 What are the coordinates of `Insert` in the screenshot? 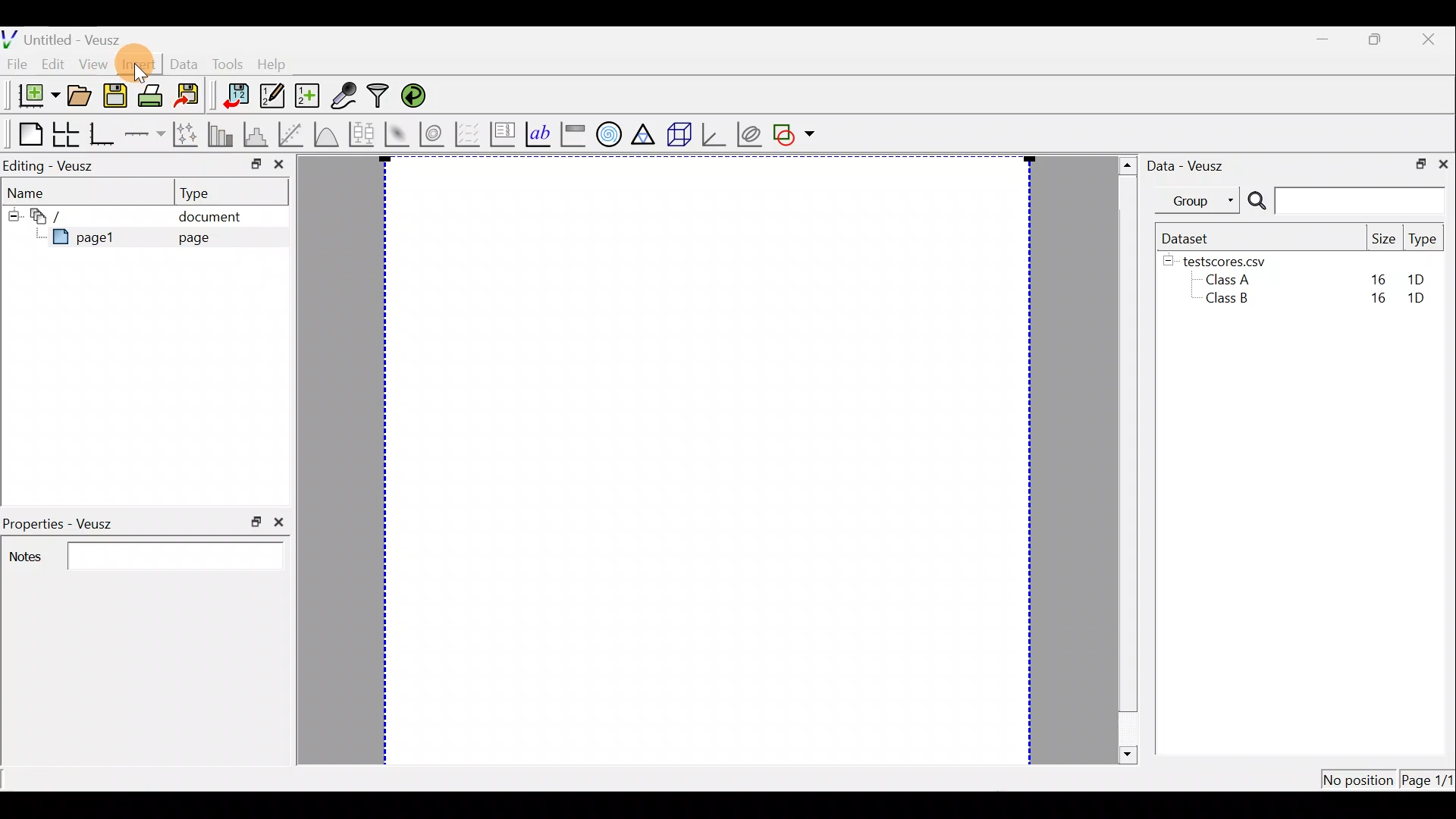 It's located at (135, 62).